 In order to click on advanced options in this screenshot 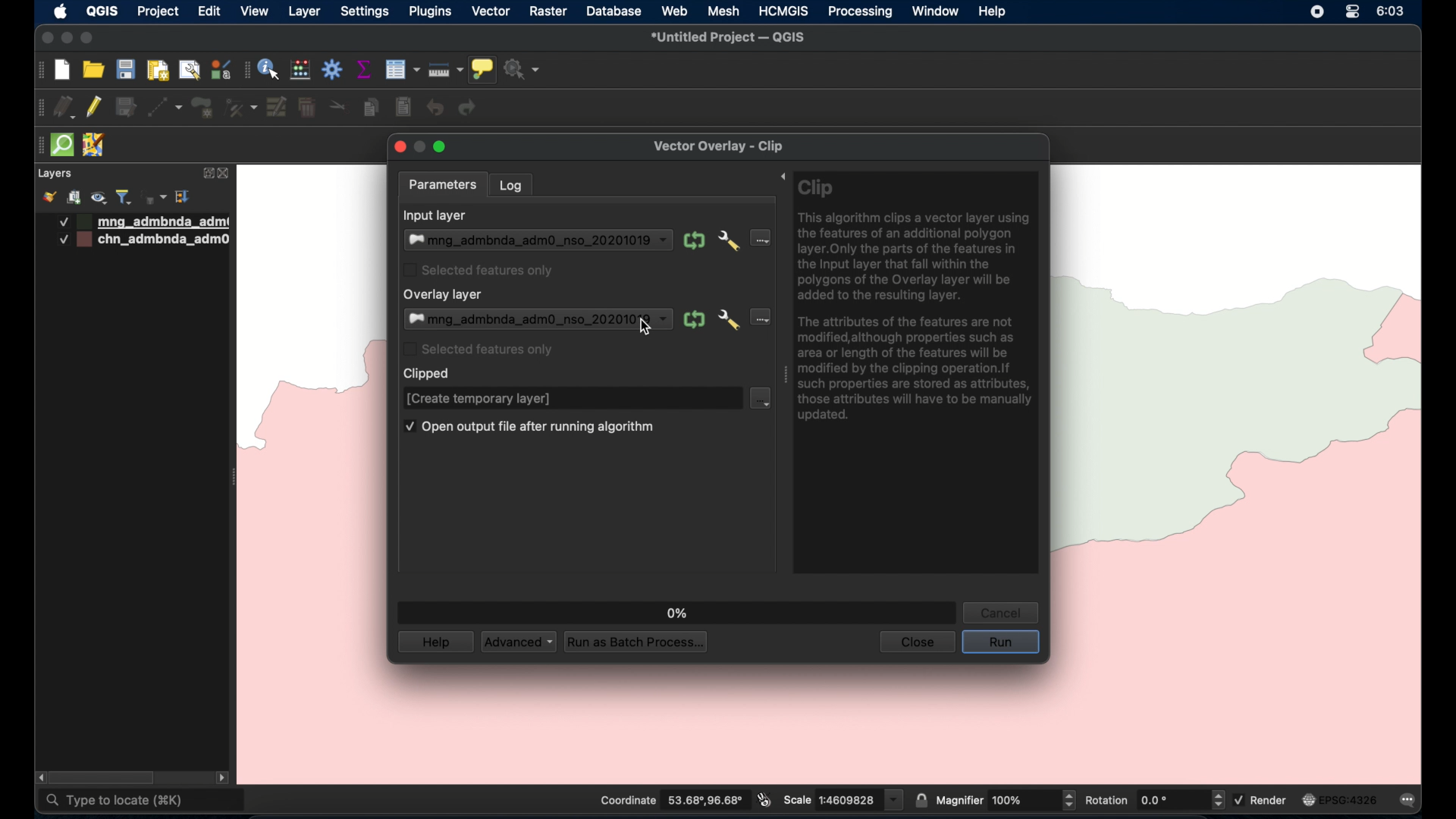, I will do `click(727, 319)`.